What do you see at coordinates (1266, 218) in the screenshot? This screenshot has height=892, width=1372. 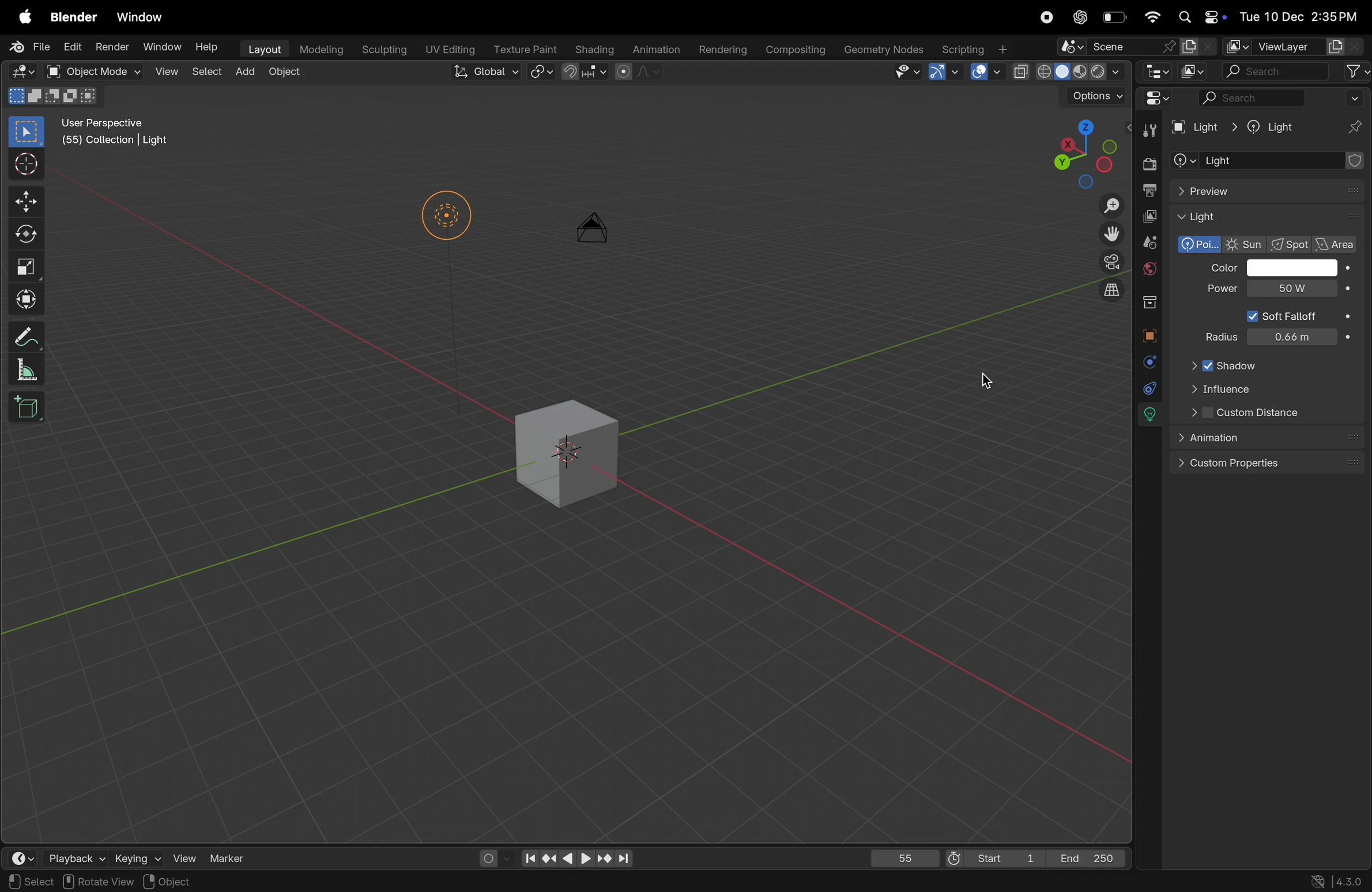 I see `Light` at bounding box center [1266, 218].